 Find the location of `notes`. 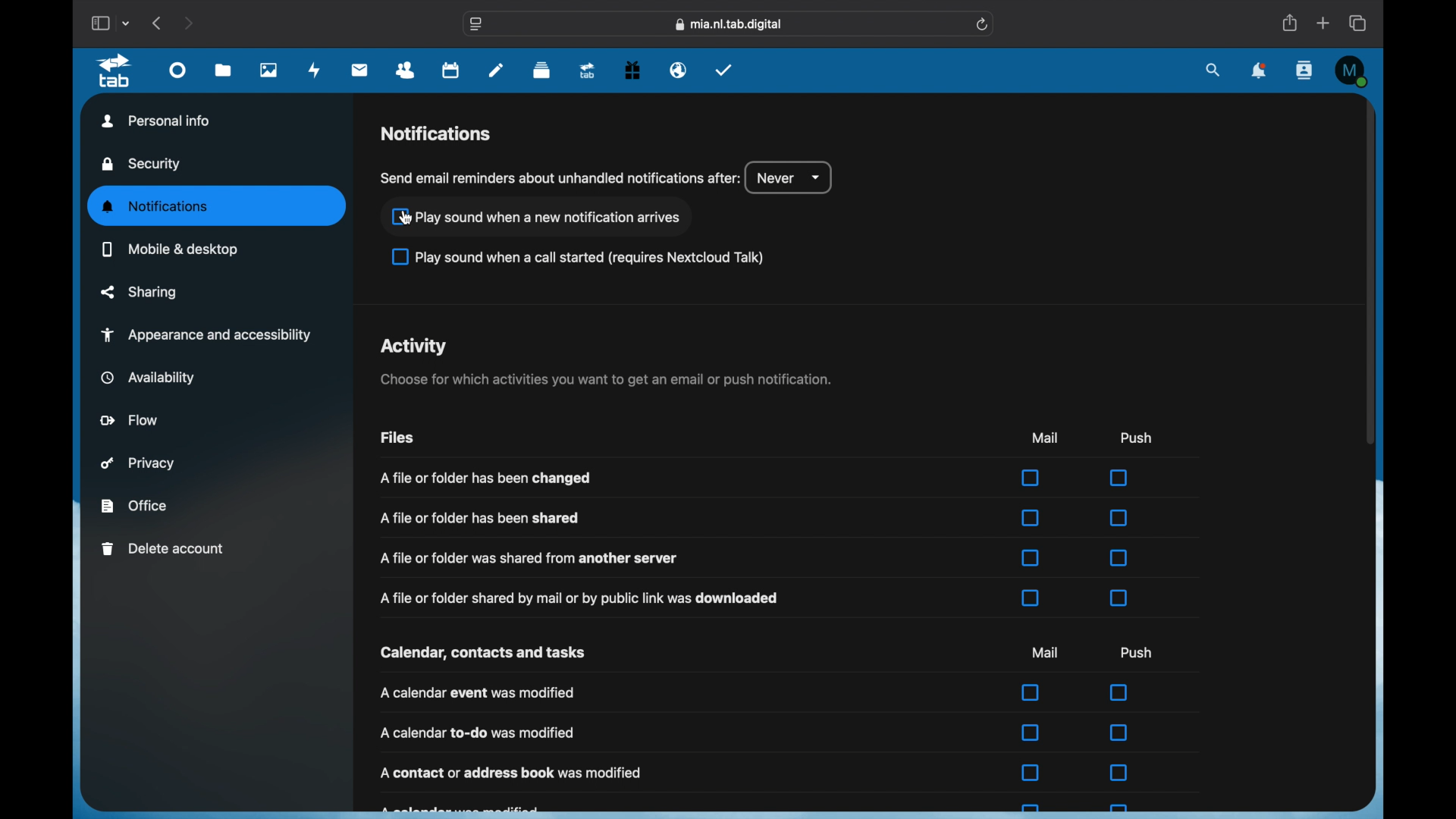

notes is located at coordinates (496, 69).